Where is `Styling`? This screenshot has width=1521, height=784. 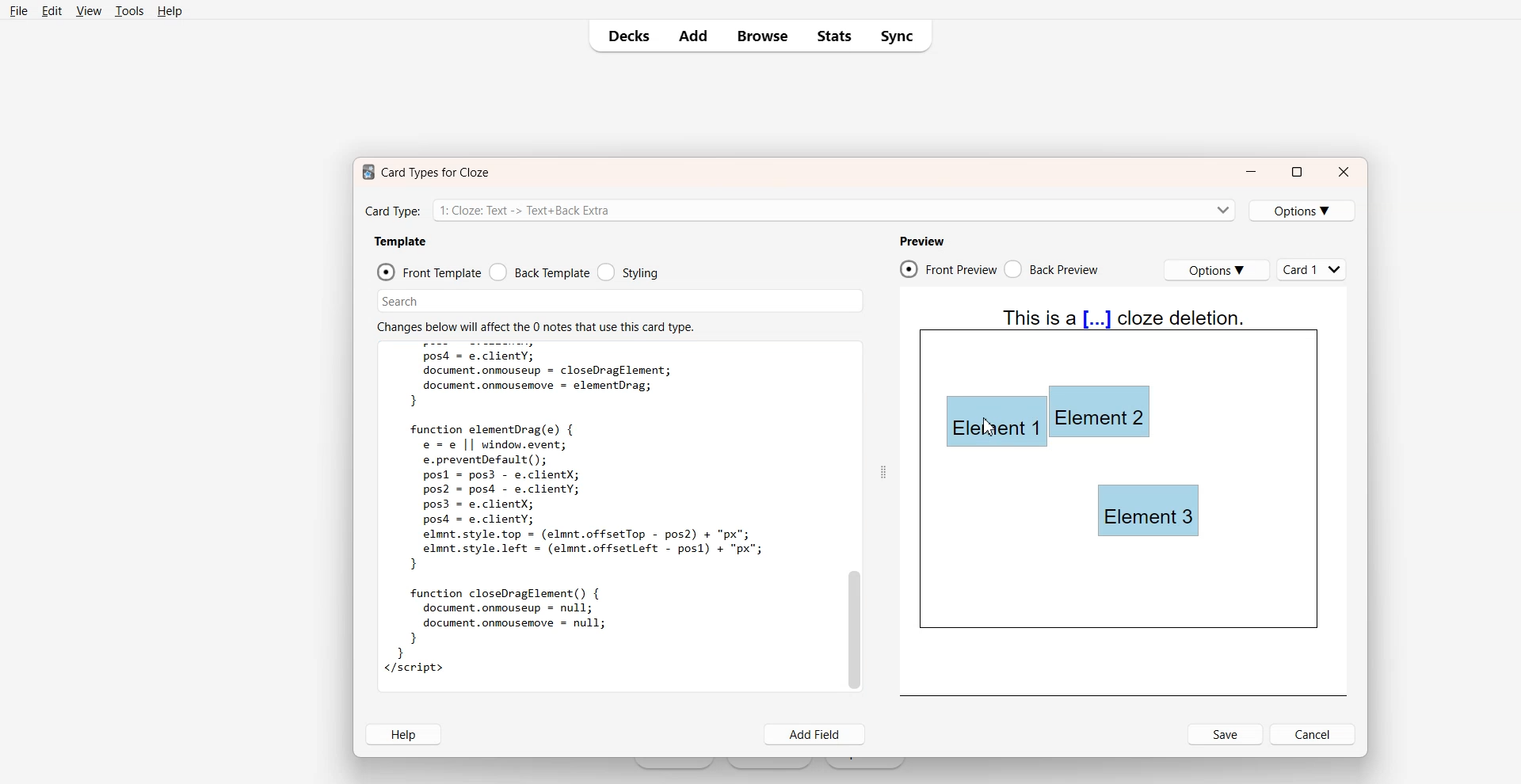 Styling is located at coordinates (627, 272).